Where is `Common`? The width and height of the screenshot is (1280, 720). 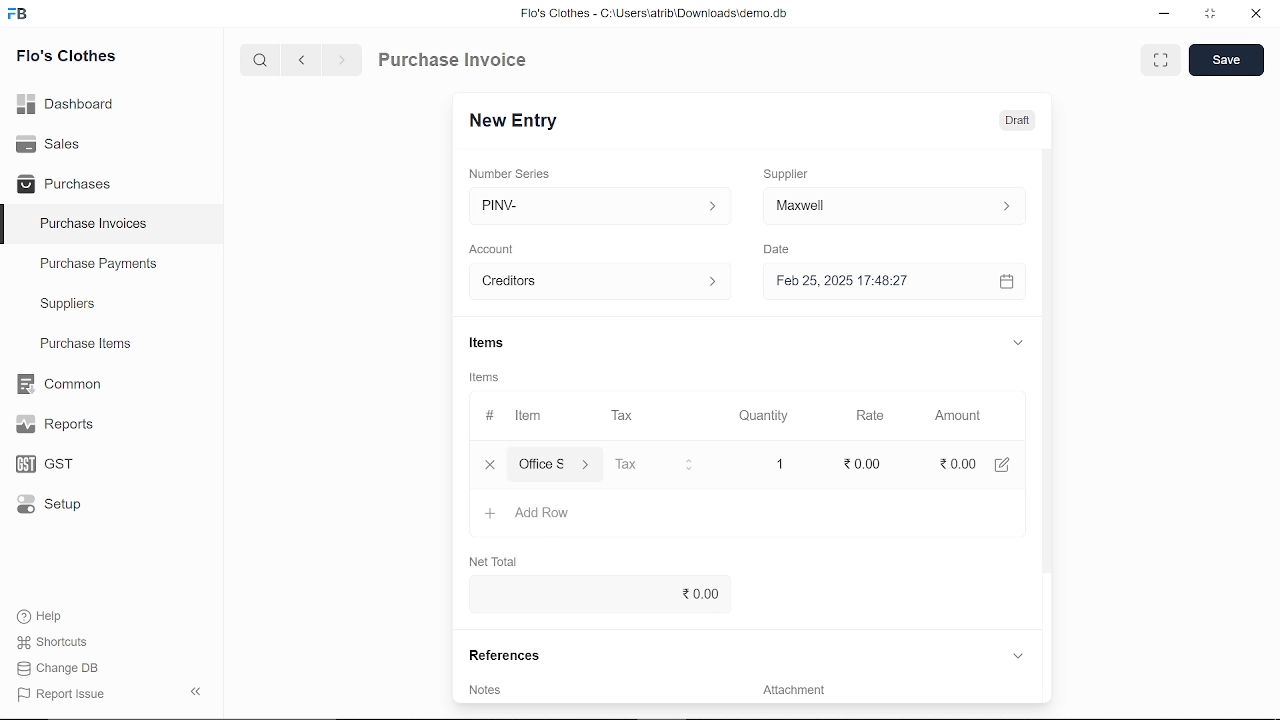 Common is located at coordinates (61, 384).